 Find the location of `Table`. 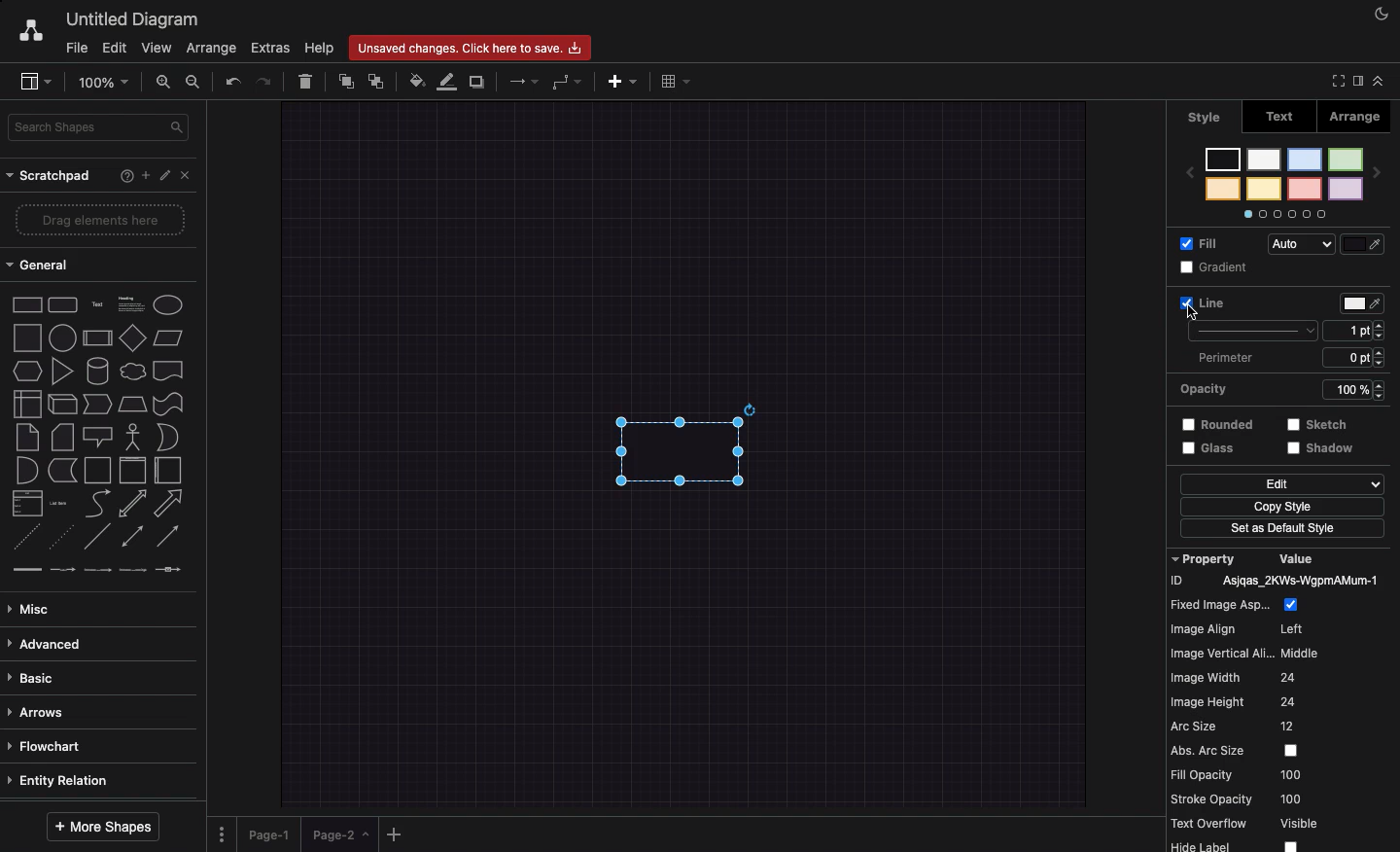

Table is located at coordinates (673, 81).